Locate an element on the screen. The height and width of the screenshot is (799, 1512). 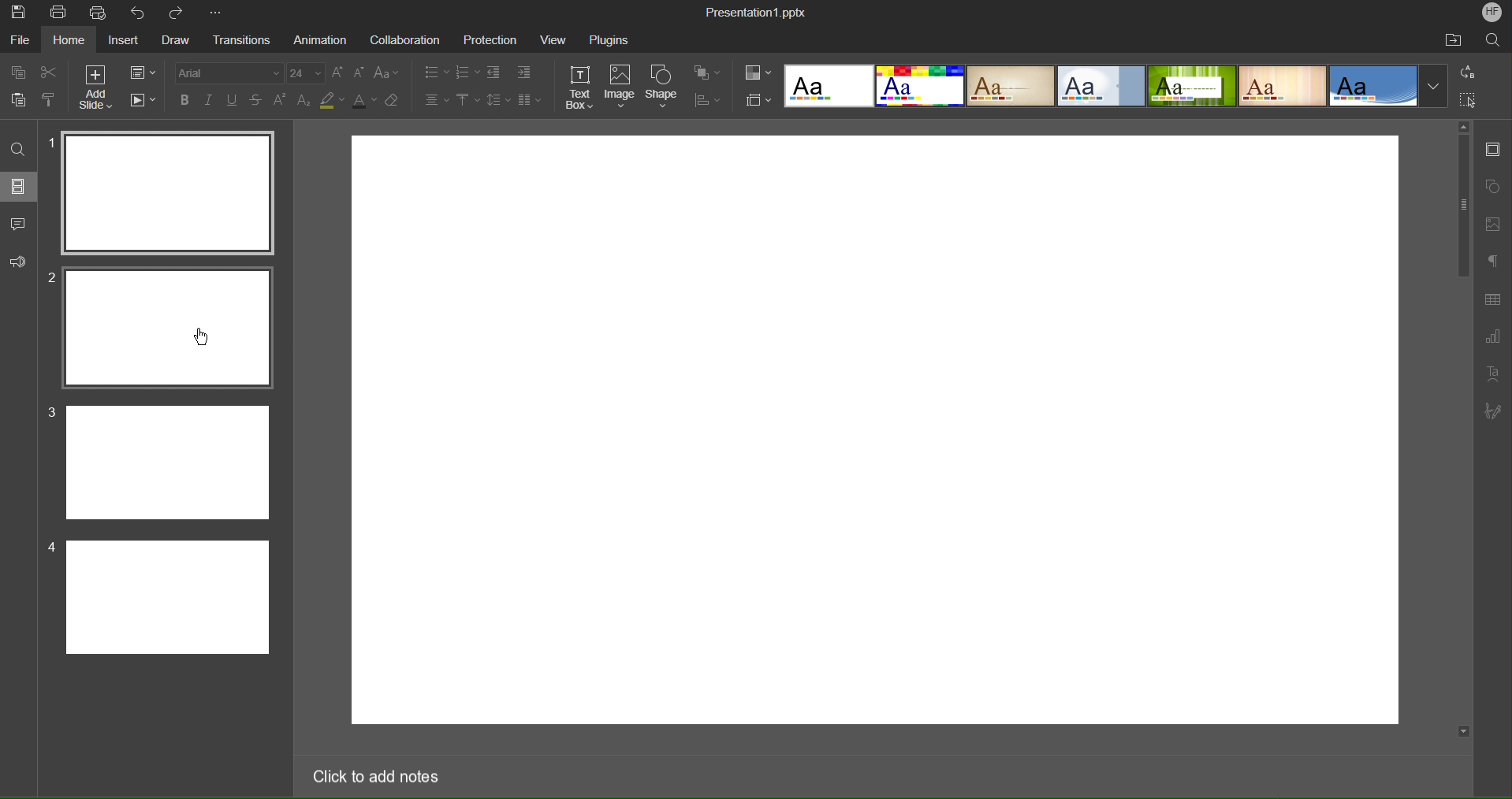
Transition is located at coordinates (237, 41).